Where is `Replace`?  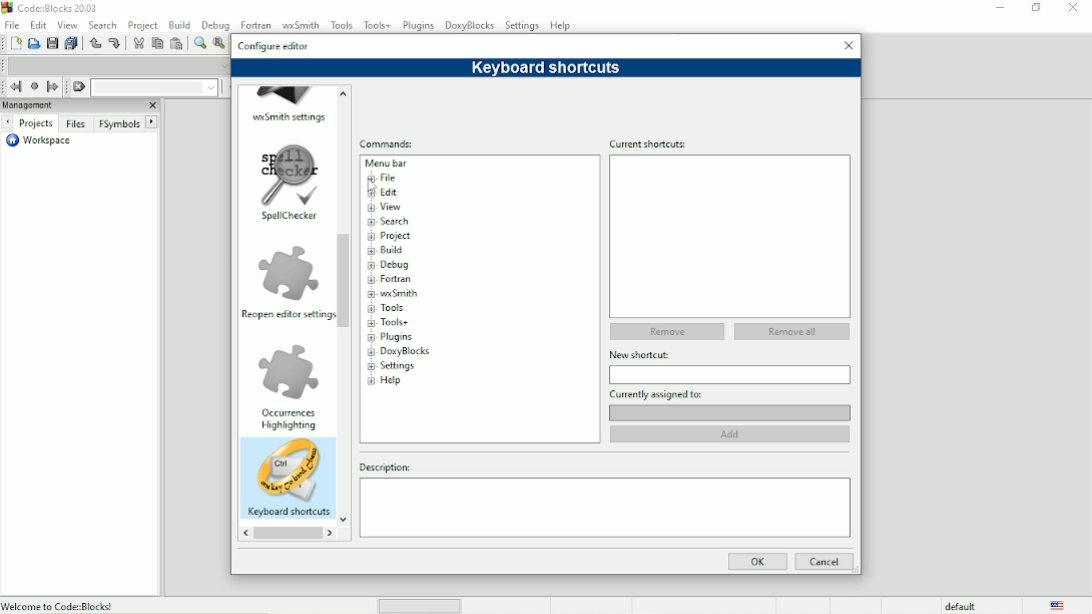 Replace is located at coordinates (220, 44).